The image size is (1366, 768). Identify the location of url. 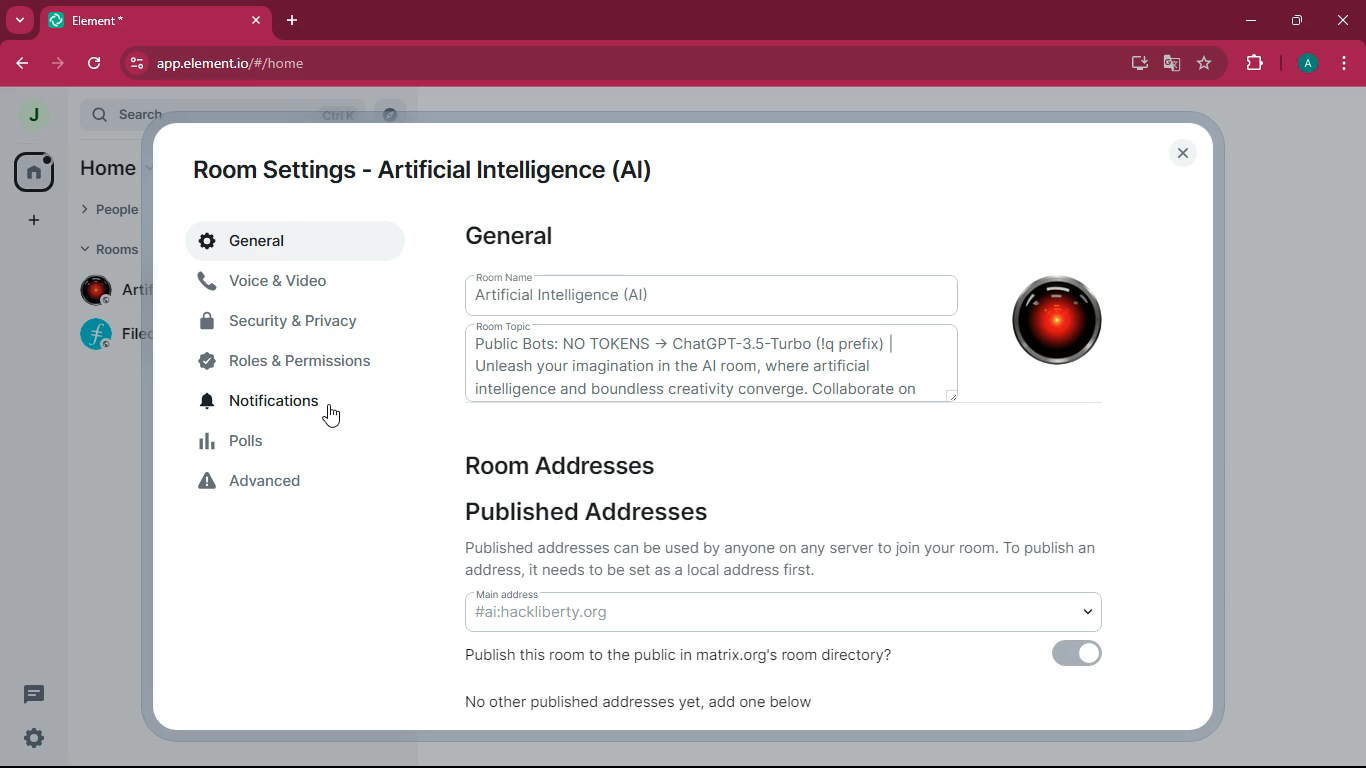
(316, 64).